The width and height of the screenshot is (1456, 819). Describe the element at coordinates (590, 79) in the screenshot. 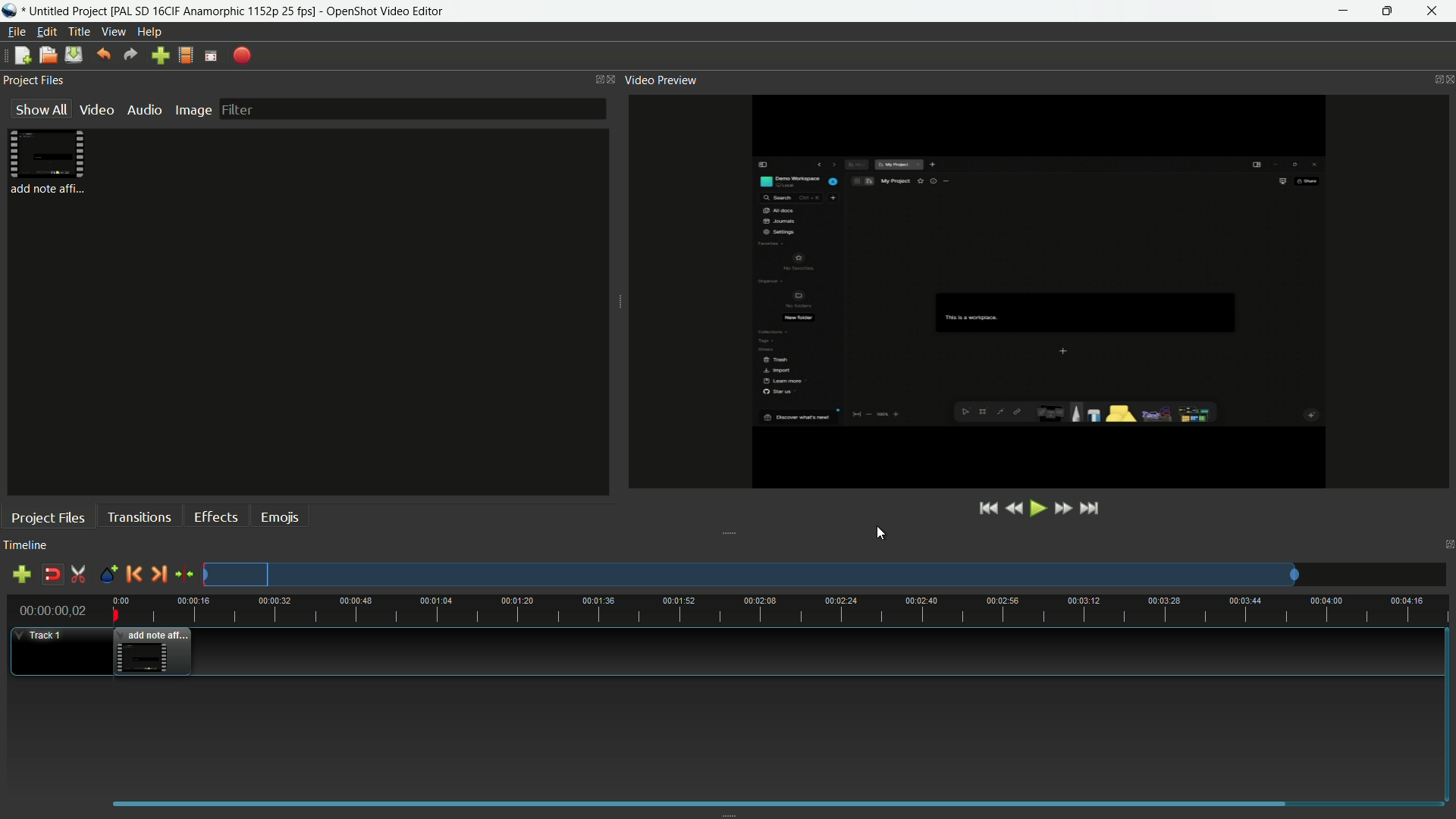

I see `change layout` at that location.